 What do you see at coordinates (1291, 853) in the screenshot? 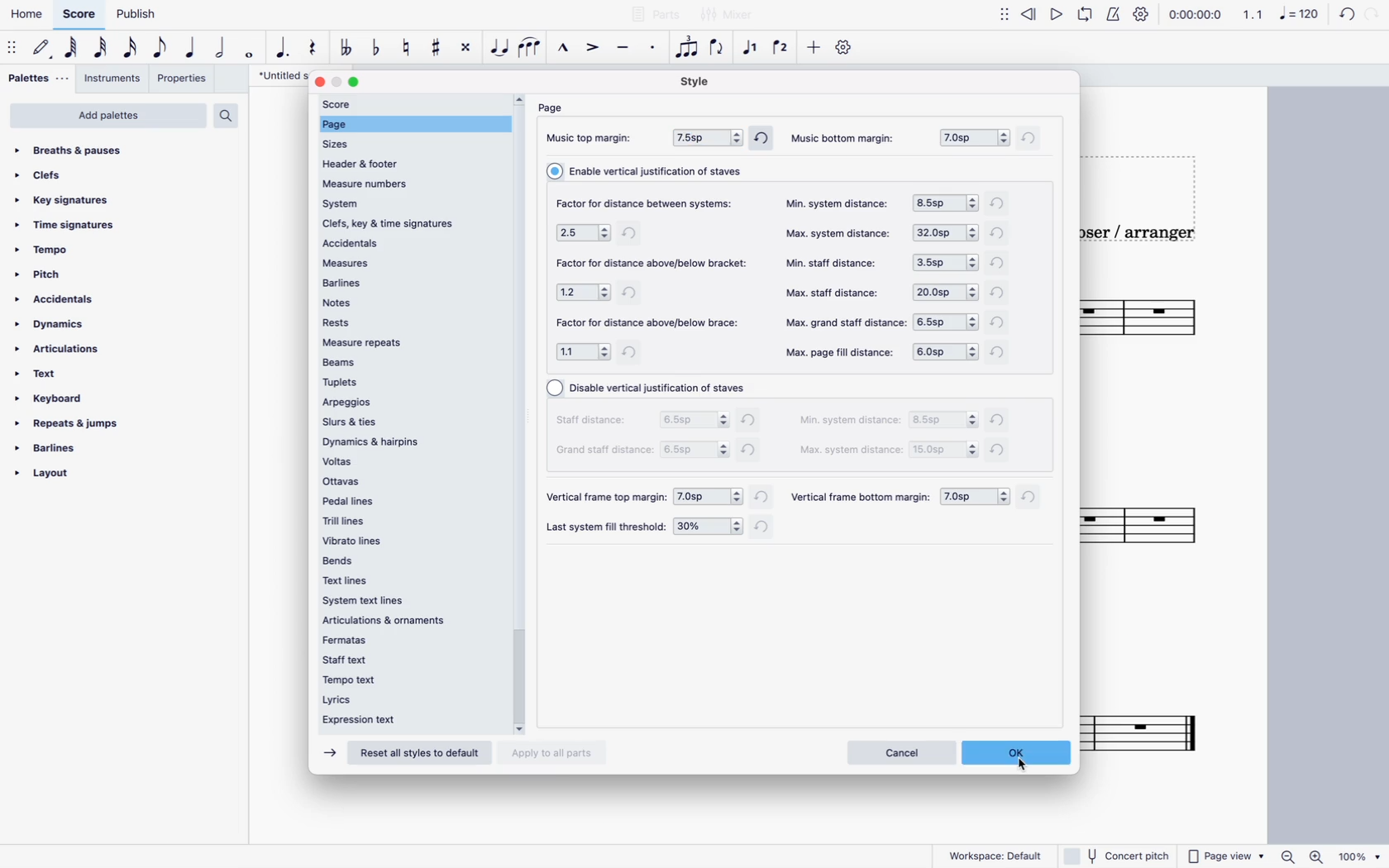
I see `zoom out` at bounding box center [1291, 853].